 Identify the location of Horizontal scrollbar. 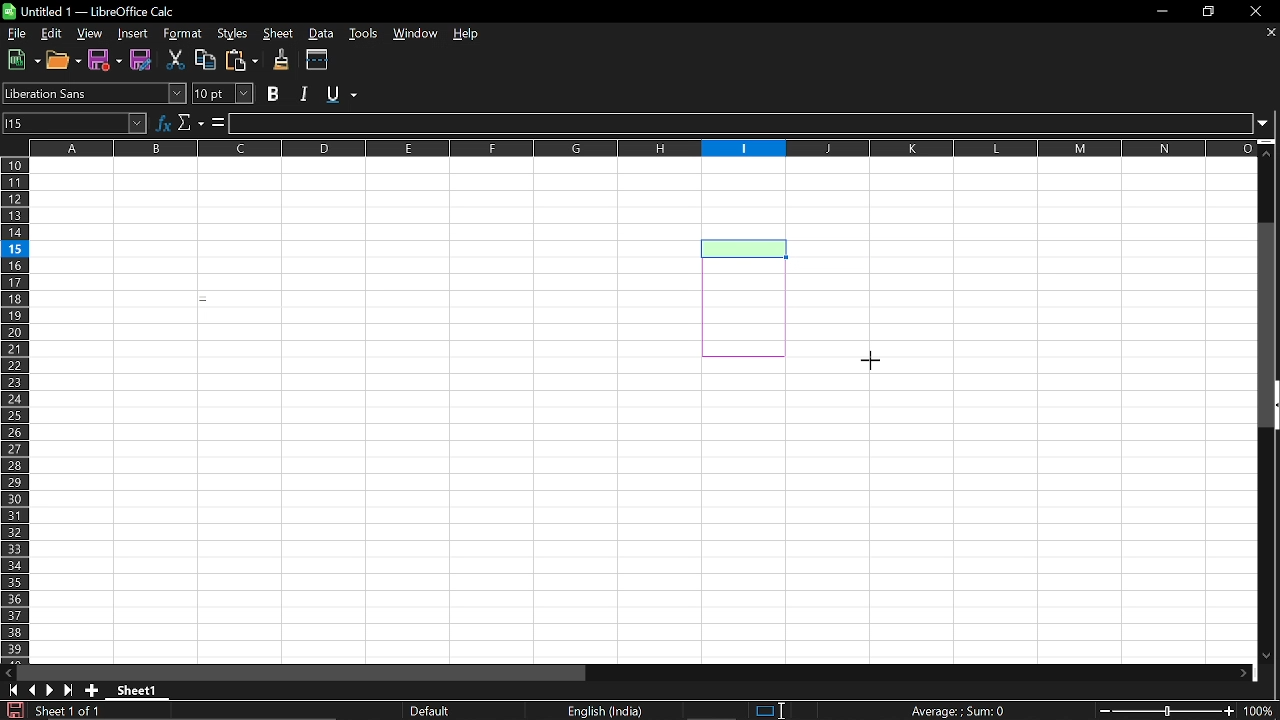
(306, 671).